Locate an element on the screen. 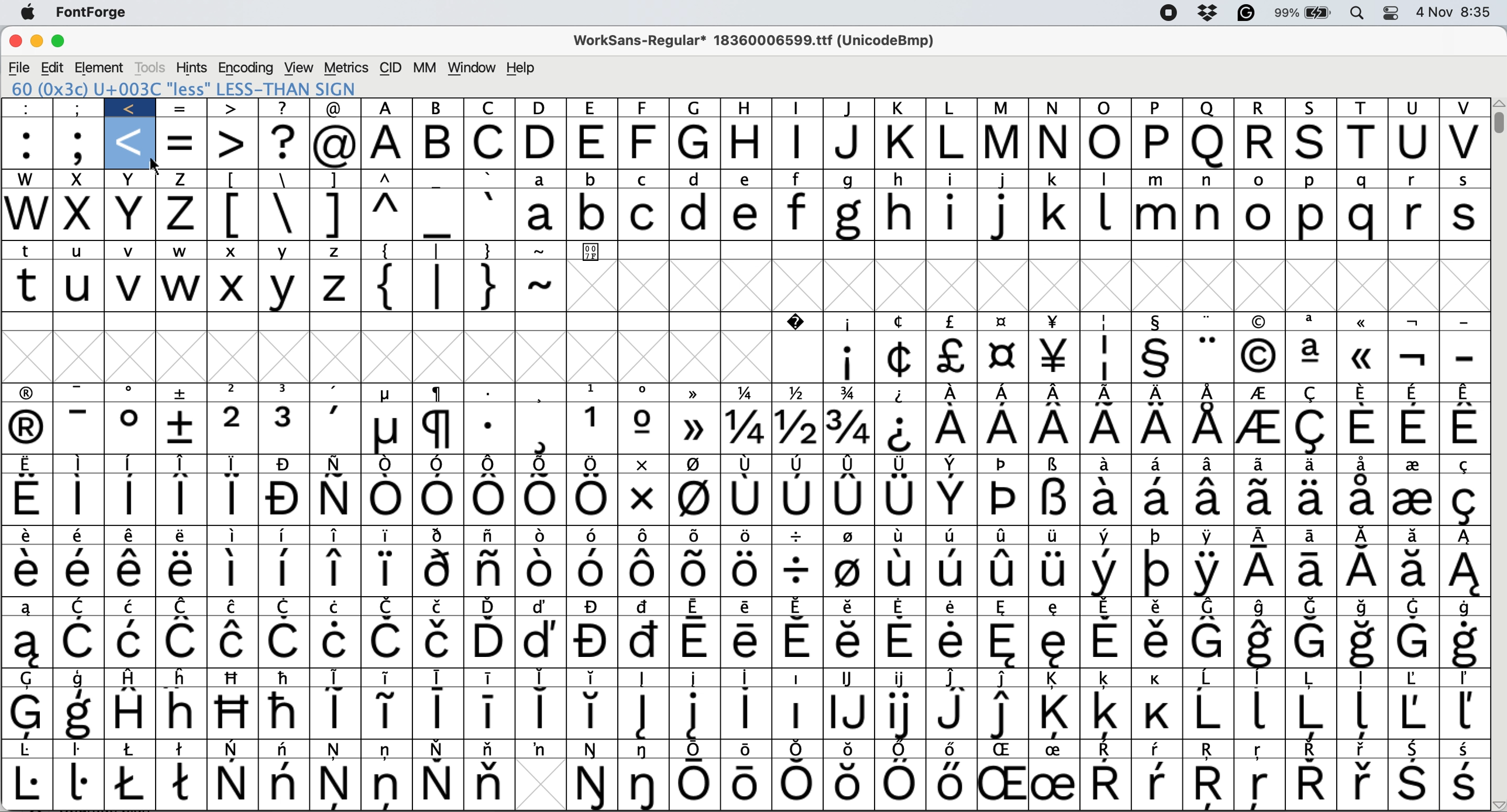 This screenshot has width=1507, height=812. Symbol is located at coordinates (1208, 679).